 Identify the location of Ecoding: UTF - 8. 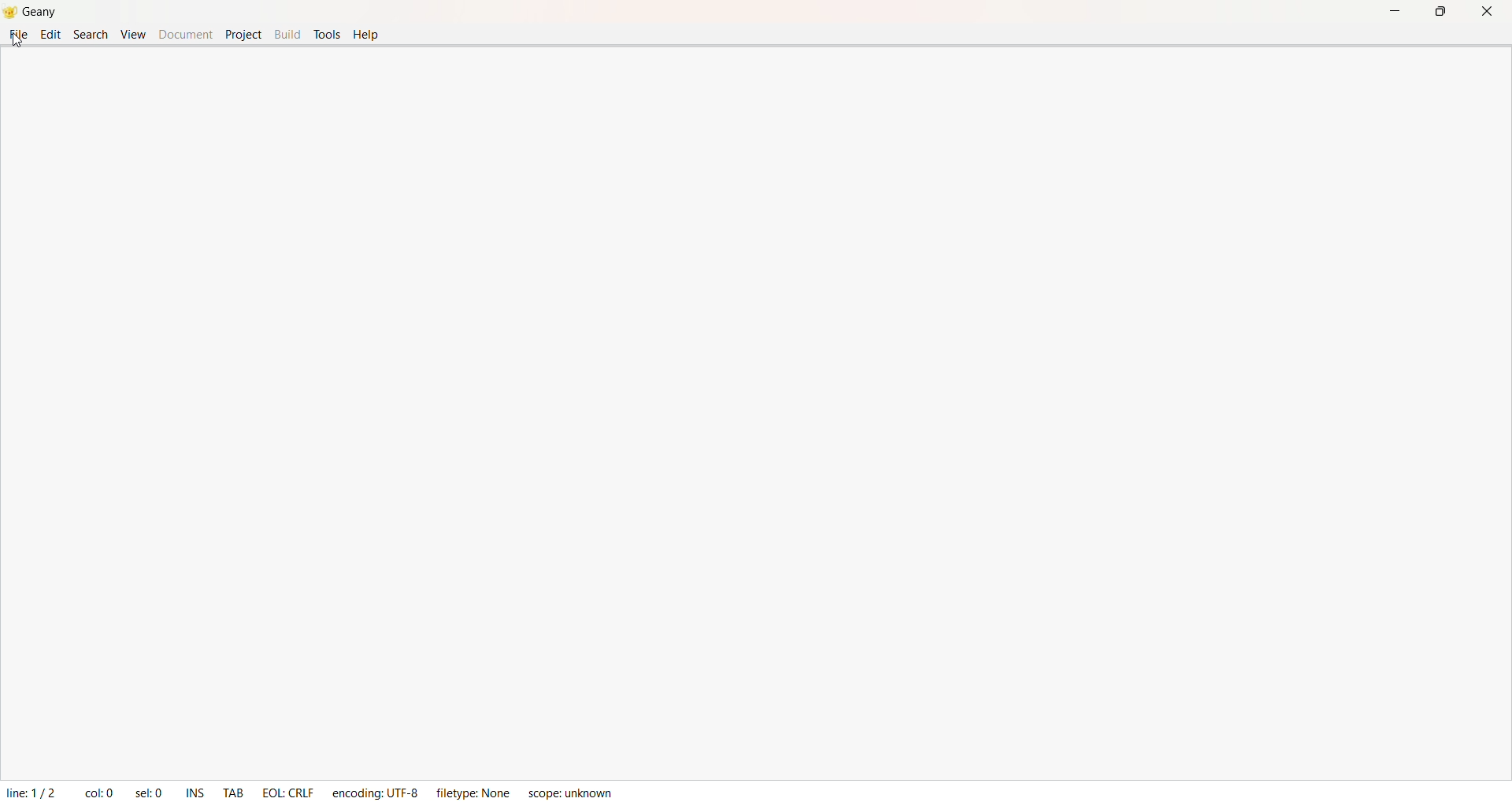
(375, 790).